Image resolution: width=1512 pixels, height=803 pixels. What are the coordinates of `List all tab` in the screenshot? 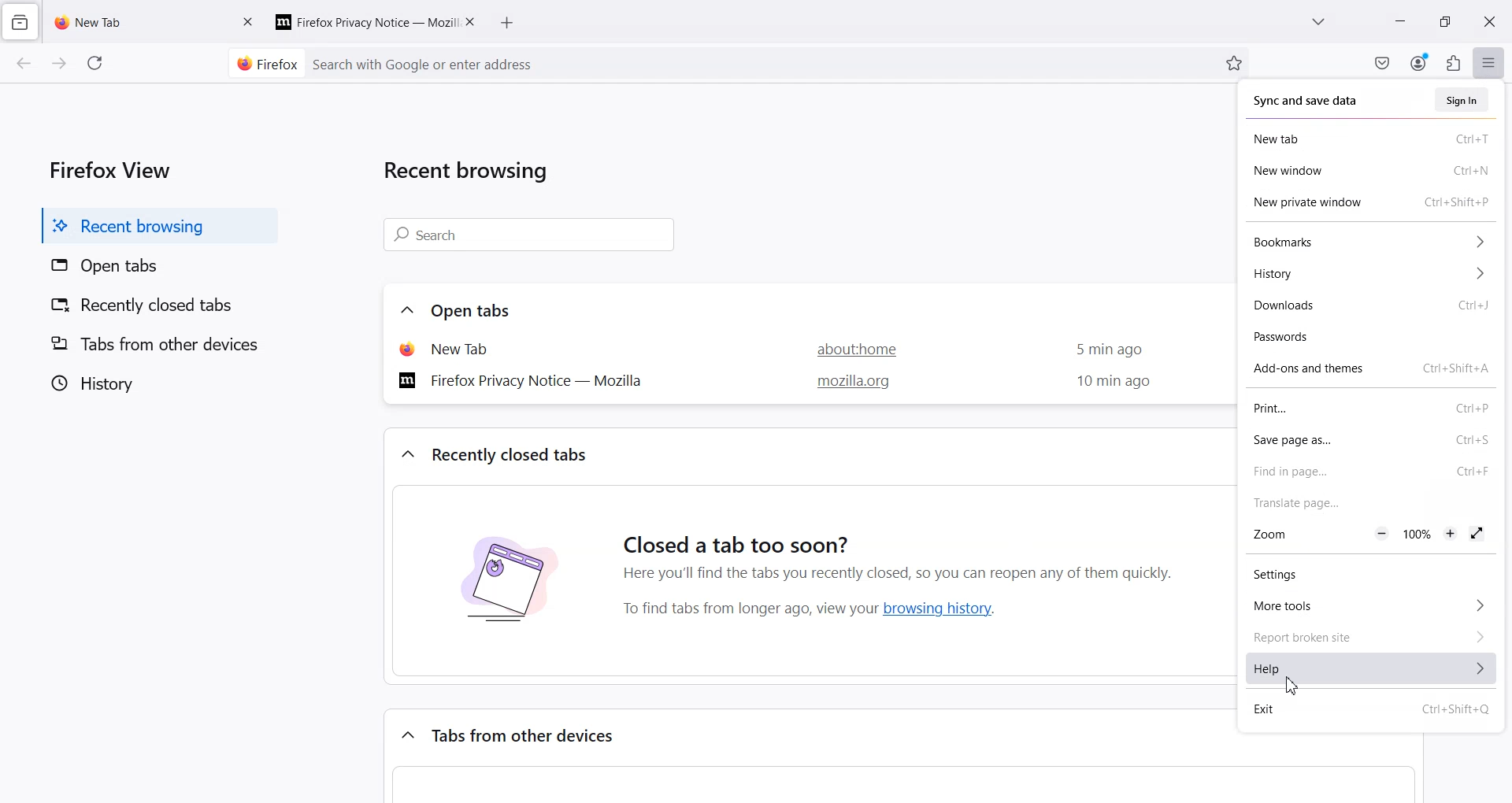 It's located at (1319, 23).